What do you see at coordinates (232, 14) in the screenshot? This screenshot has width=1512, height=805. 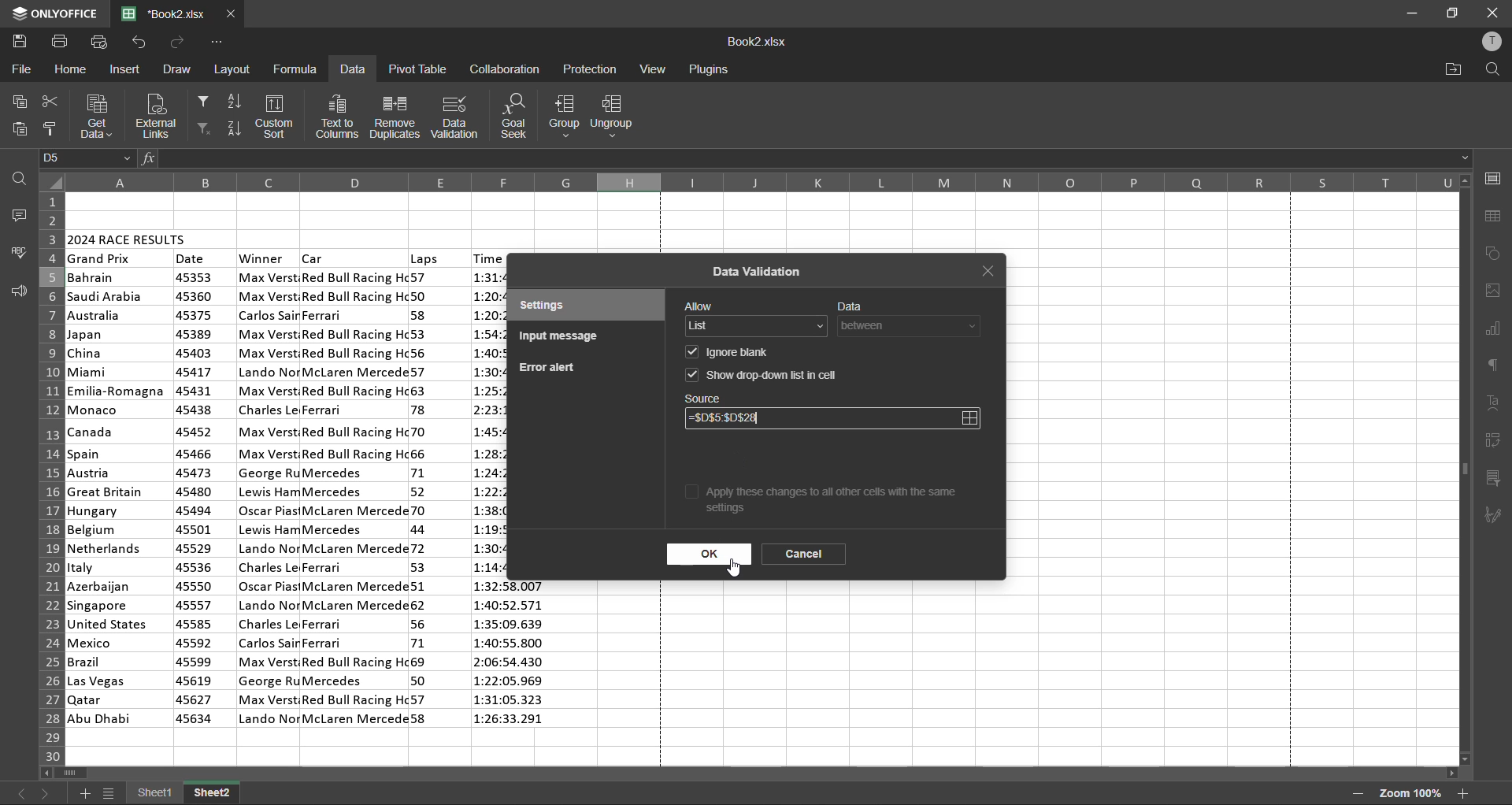 I see `close tab` at bounding box center [232, 14].